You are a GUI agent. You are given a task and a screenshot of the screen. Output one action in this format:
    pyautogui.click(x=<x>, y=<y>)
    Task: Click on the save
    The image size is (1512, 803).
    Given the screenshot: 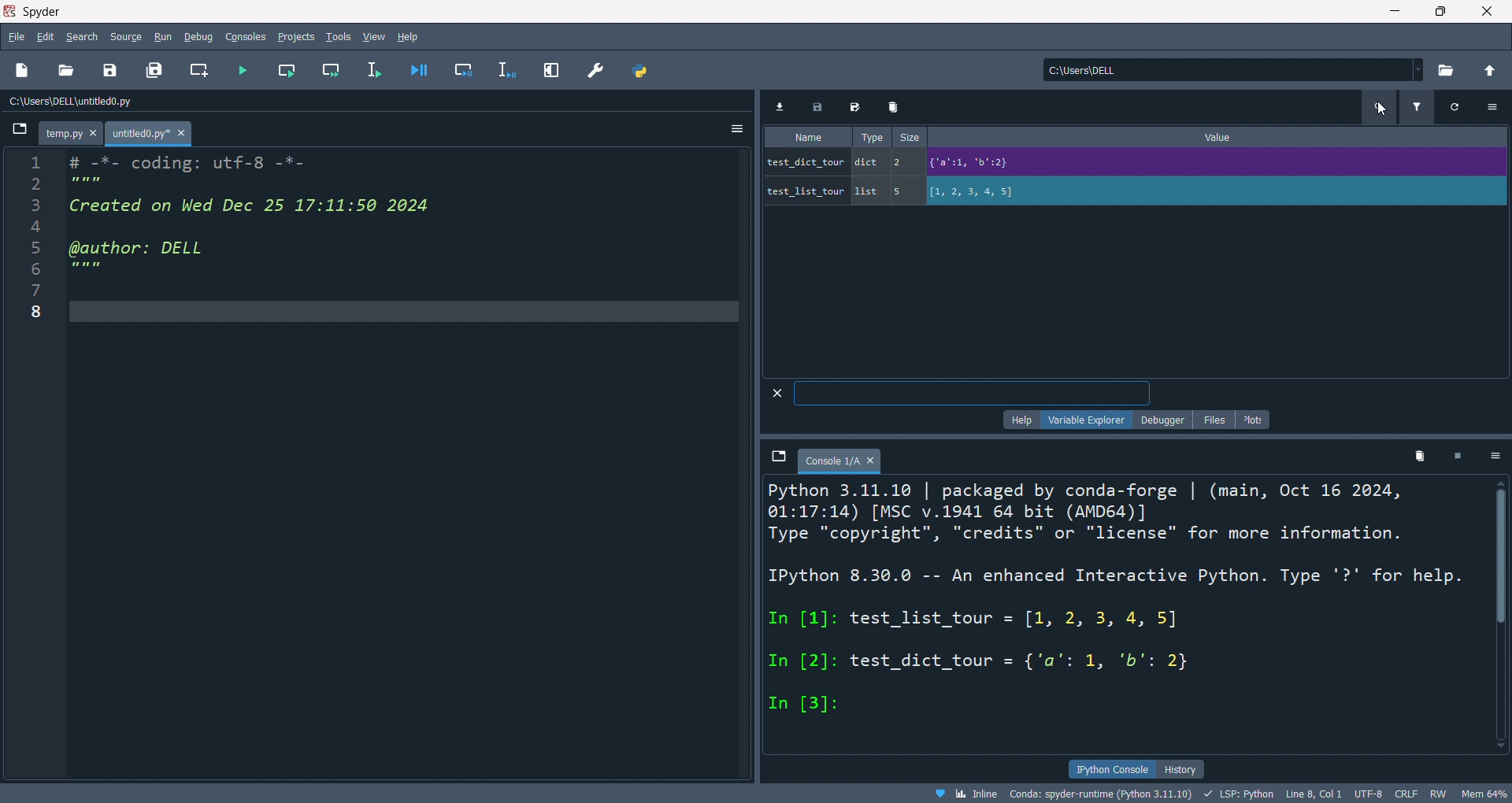 What is the action you would take?
    pyautogui.click(x=104, y=71)
    